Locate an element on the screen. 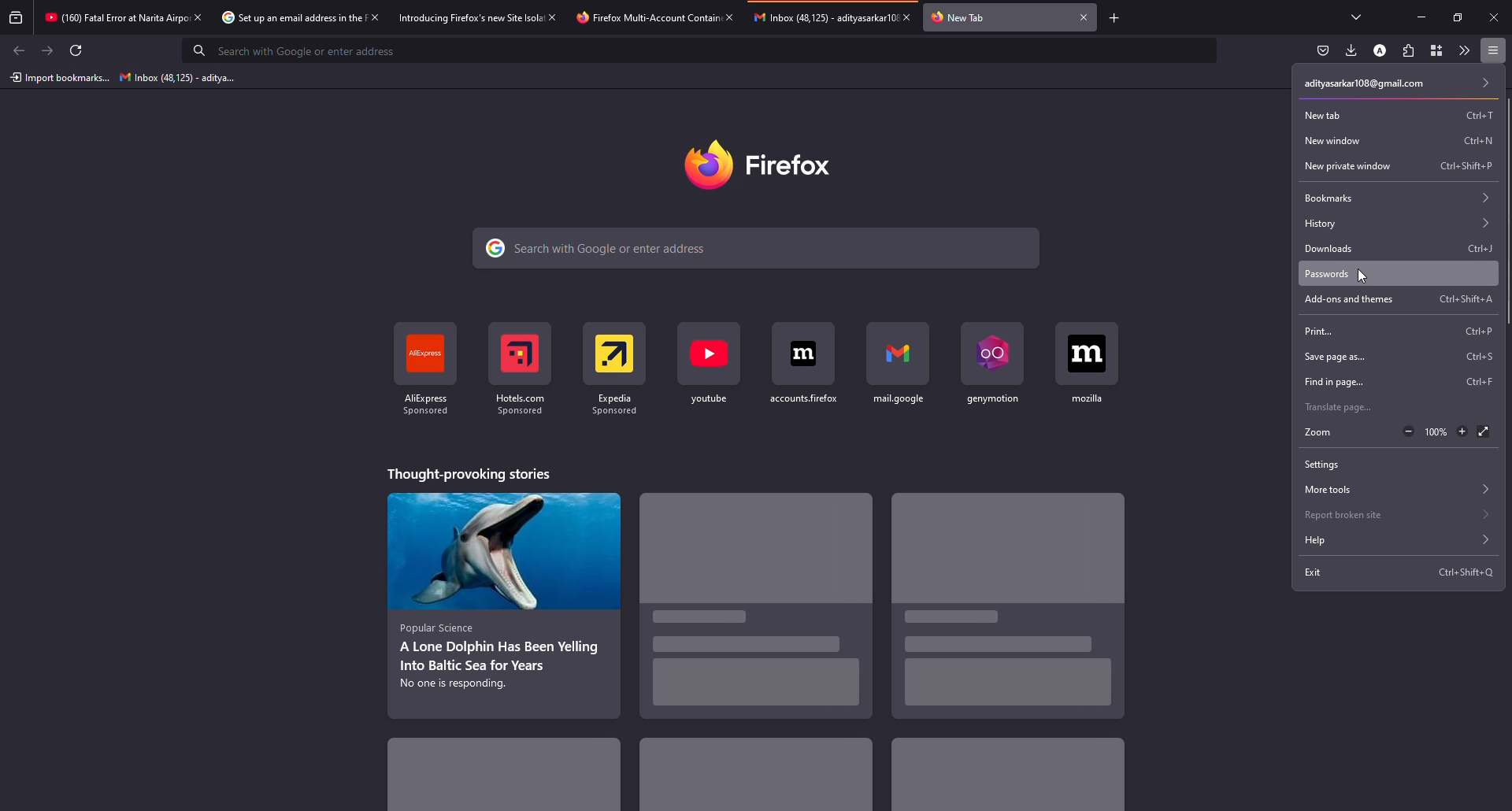 The height and width of the screenshot is (811, 1512). minimize is located at coordinates (1424, 17).